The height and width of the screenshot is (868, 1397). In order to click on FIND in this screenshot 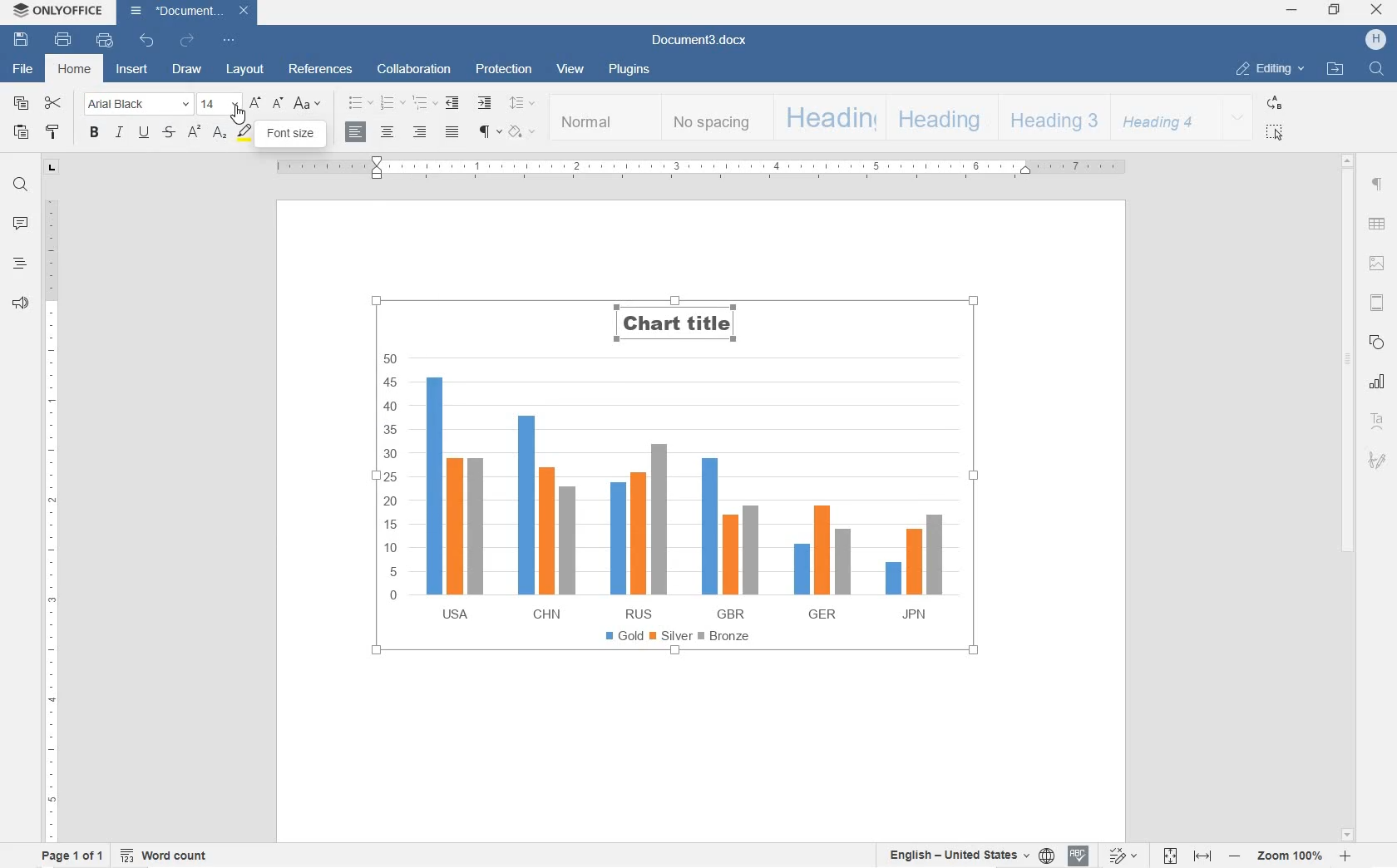, I will do `click(21, 185)`.